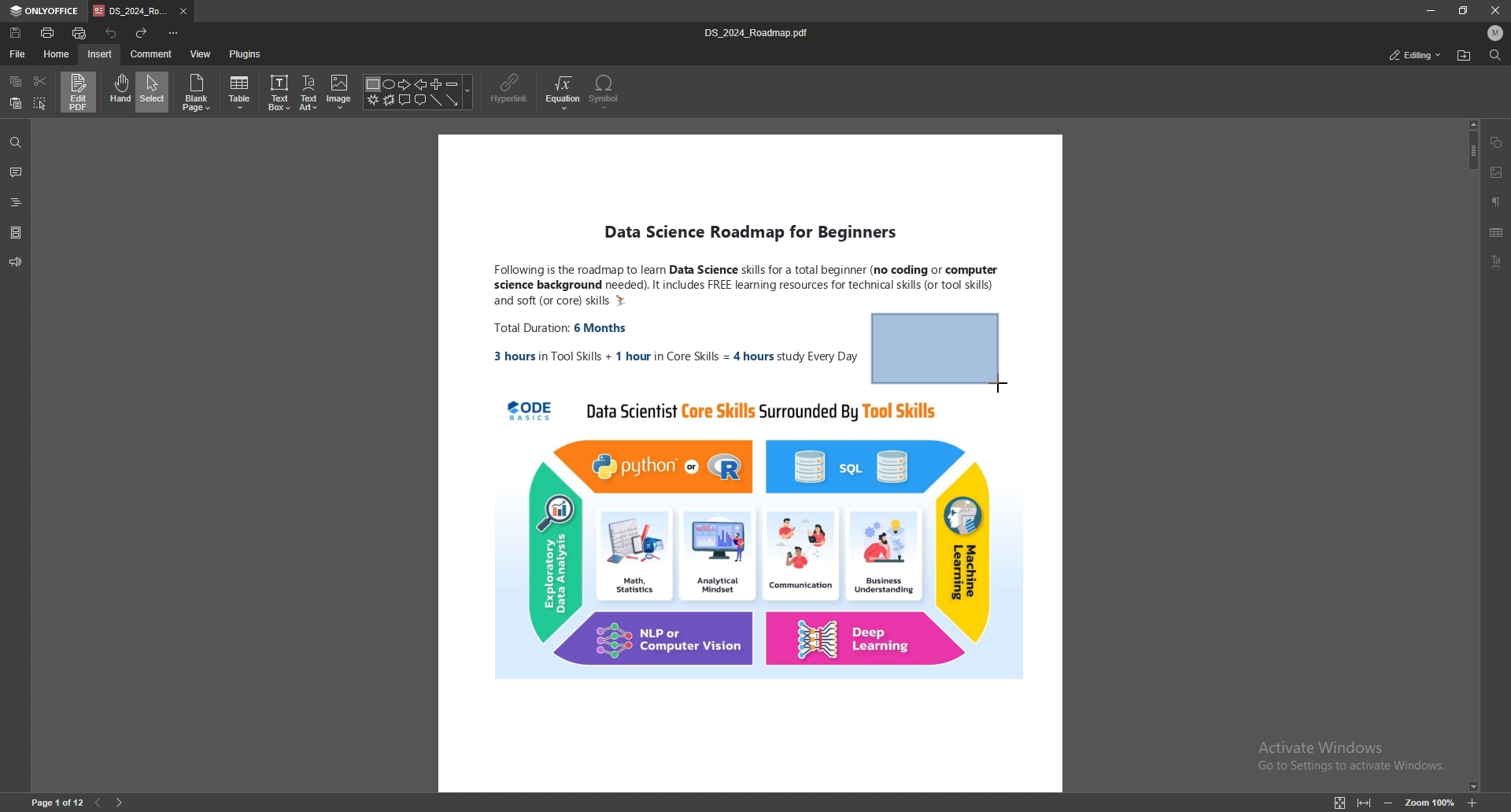 This screenshot has width=1511, height=812. I want to click on profile, so click(1496, 33).